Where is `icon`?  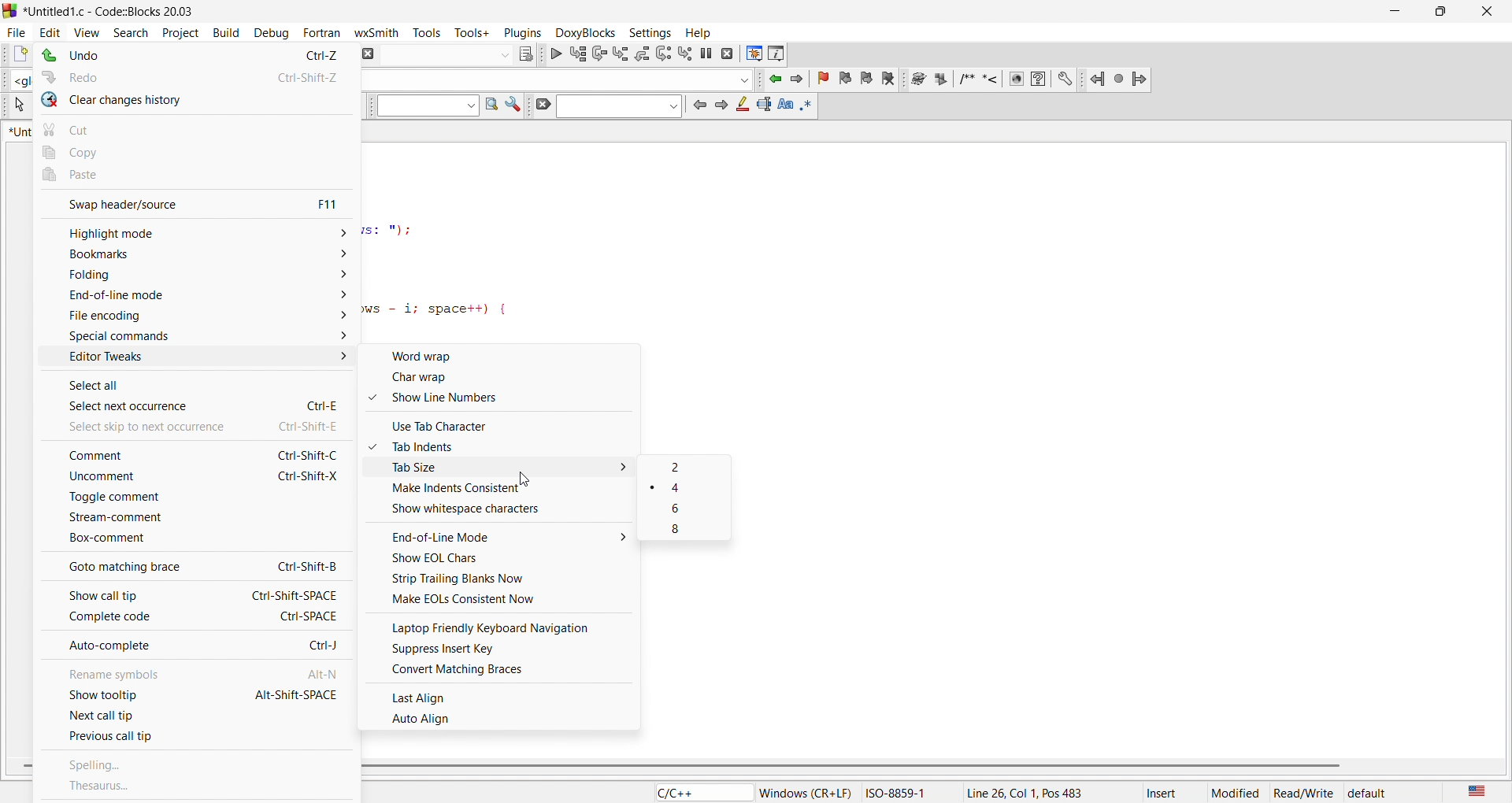
icon is located at coordinates (542, 105).